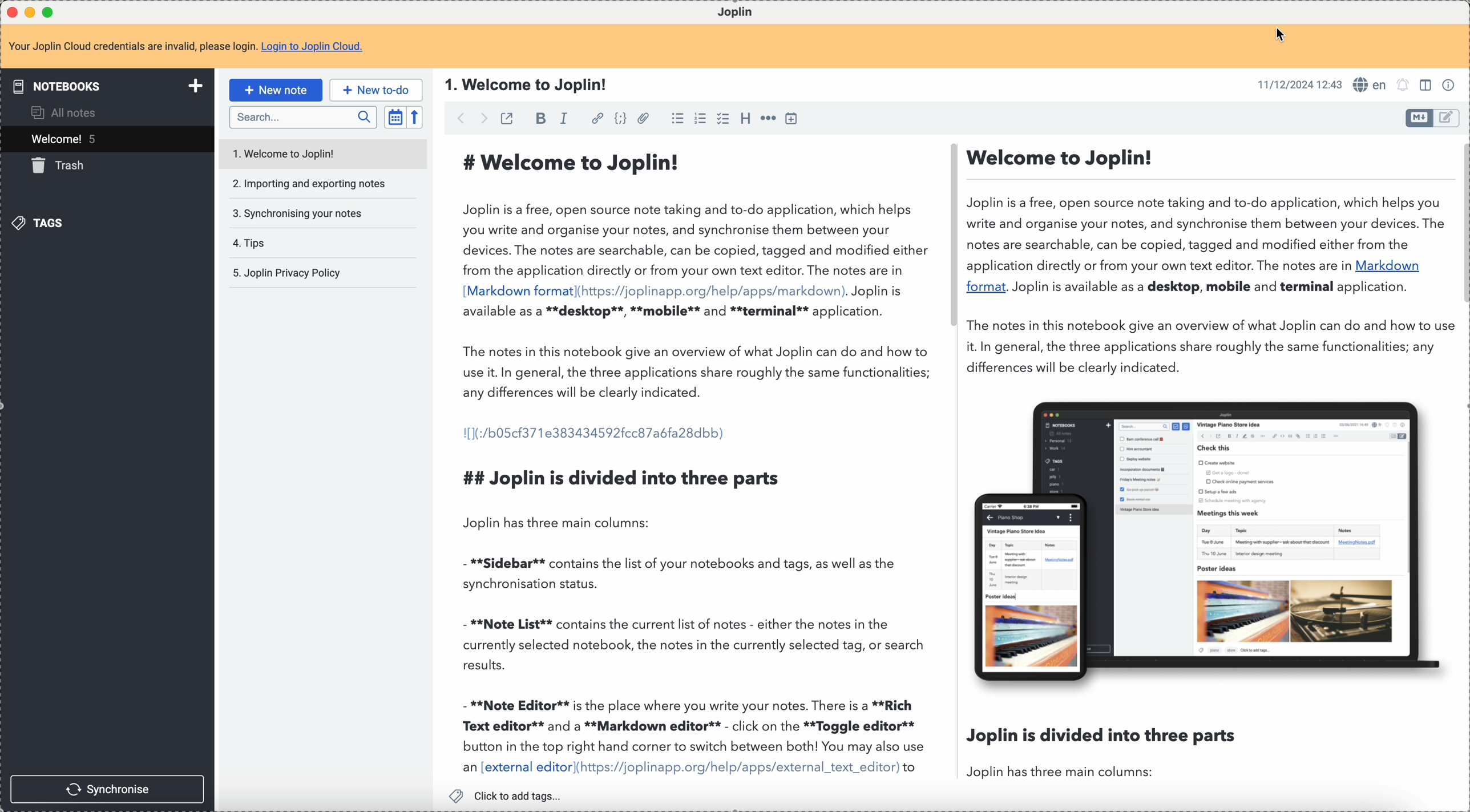  What do you see at coordinates (697, 644) in the screenshot?
I see `- **Note List** contains the current list of notes - either the notes in the
currently selected notebook, the notes in the currently selected tag, or search
results.` at bounding box center [697, 644].